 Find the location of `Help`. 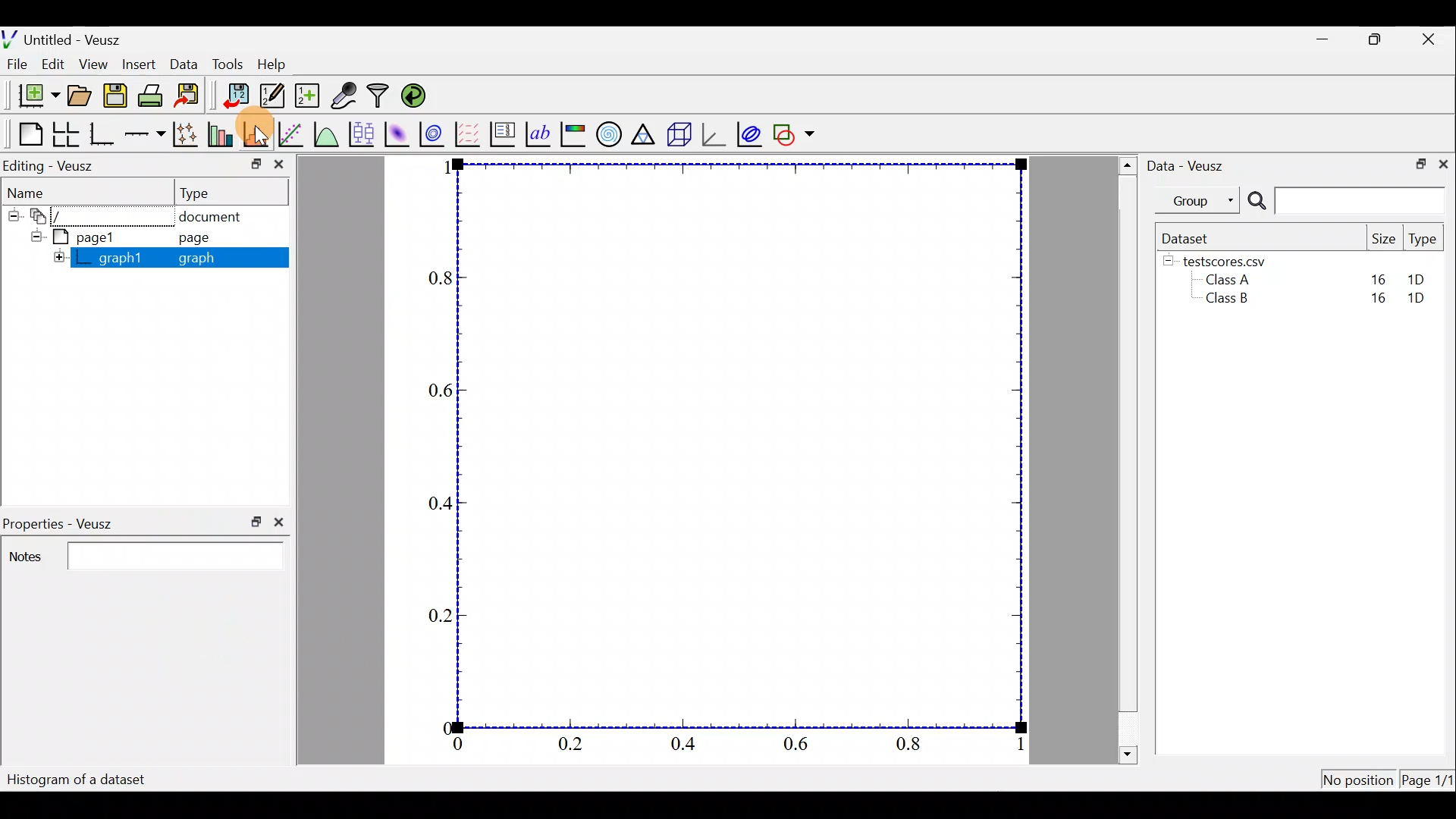

Help is located at coordinates (278, 65).